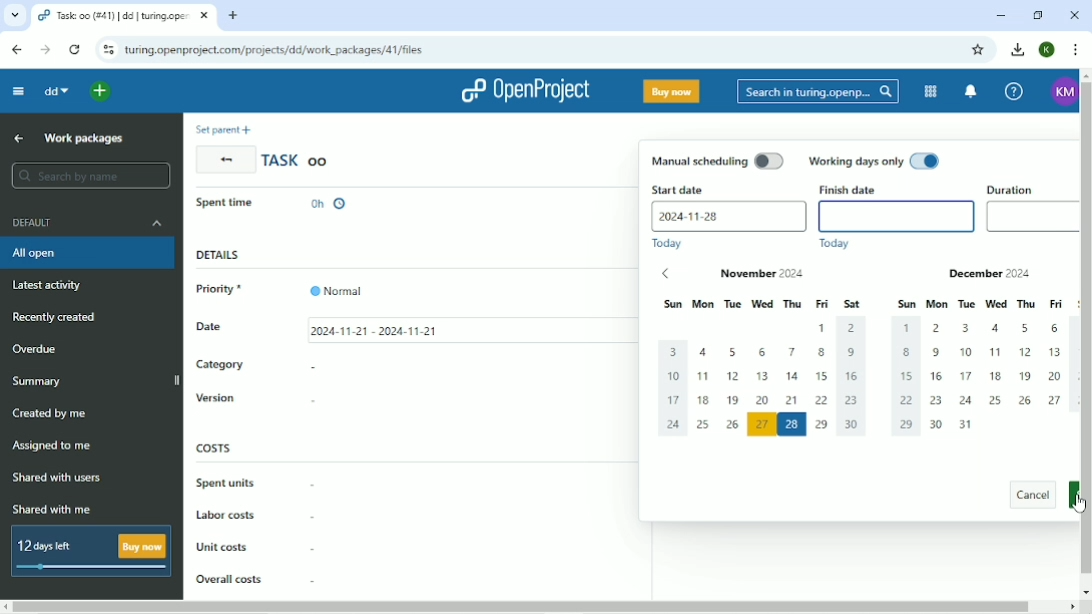 This screenshot has height=614, width=1092. What do you see at coordinates (222, 129) in the screenshot?
I see `Set parent` at bounding box center [222, 129].